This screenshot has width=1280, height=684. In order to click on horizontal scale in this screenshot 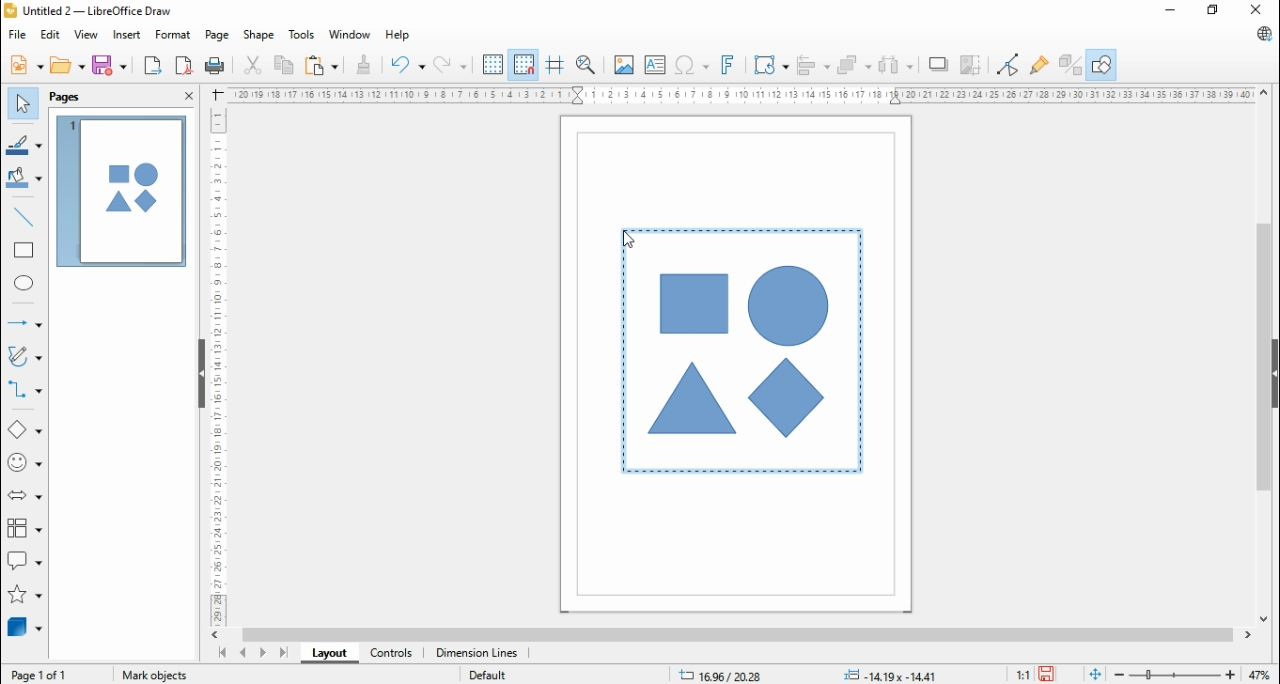, I will do `click(744, 94)`.